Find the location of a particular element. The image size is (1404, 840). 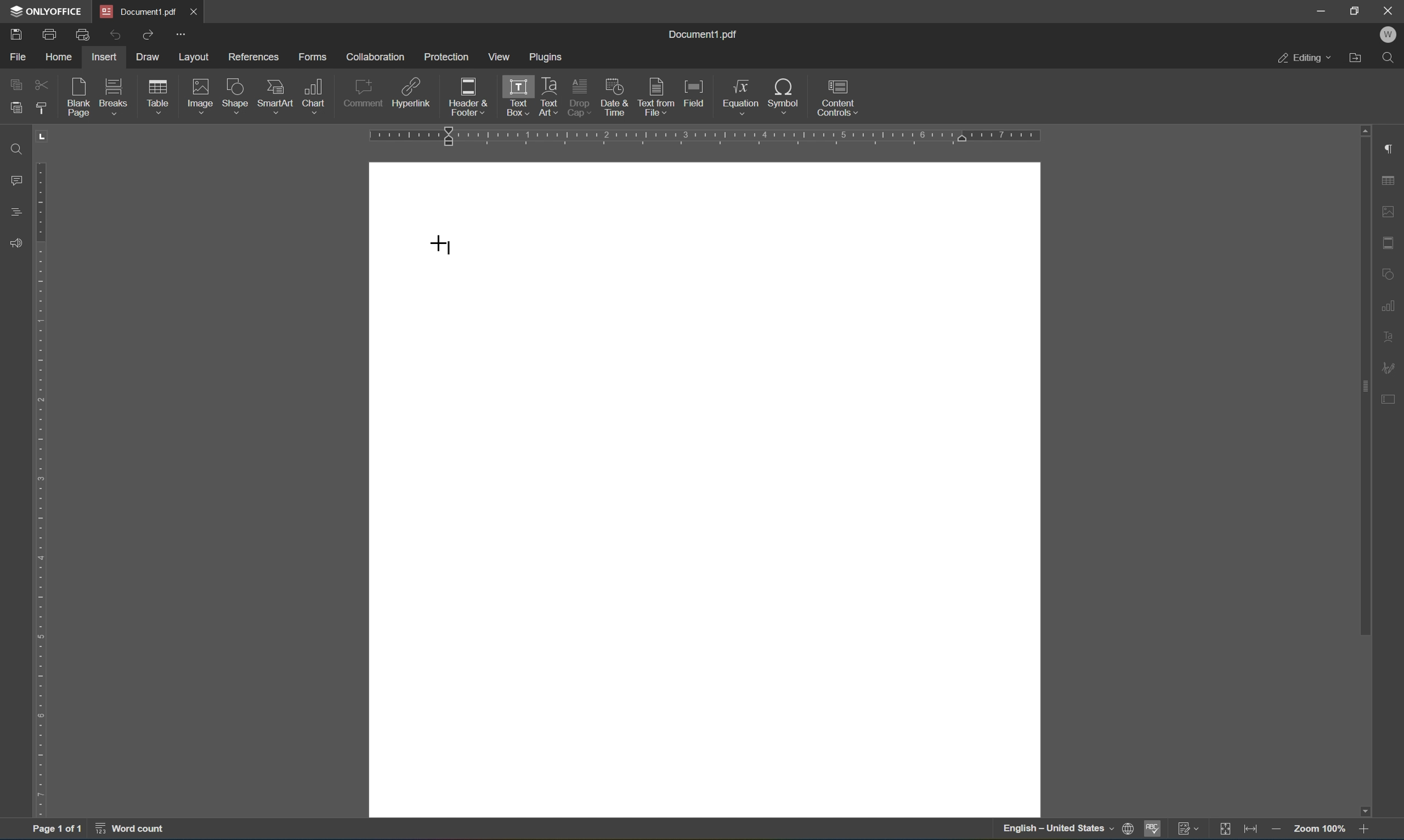

insert current date and time is located at coordinates (613, 95).